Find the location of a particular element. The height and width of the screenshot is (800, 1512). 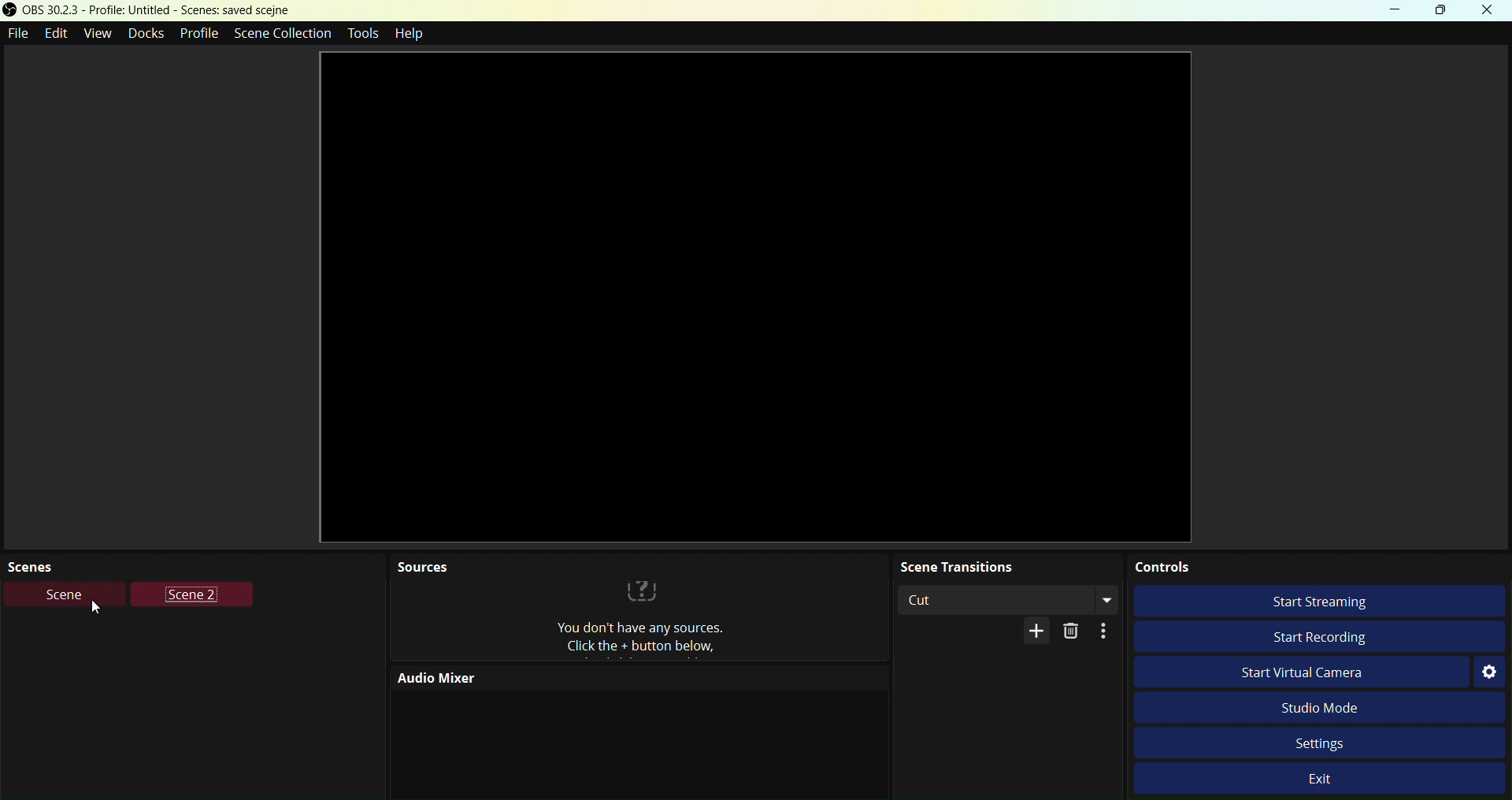

Scene is located at coordinates (65, 594).